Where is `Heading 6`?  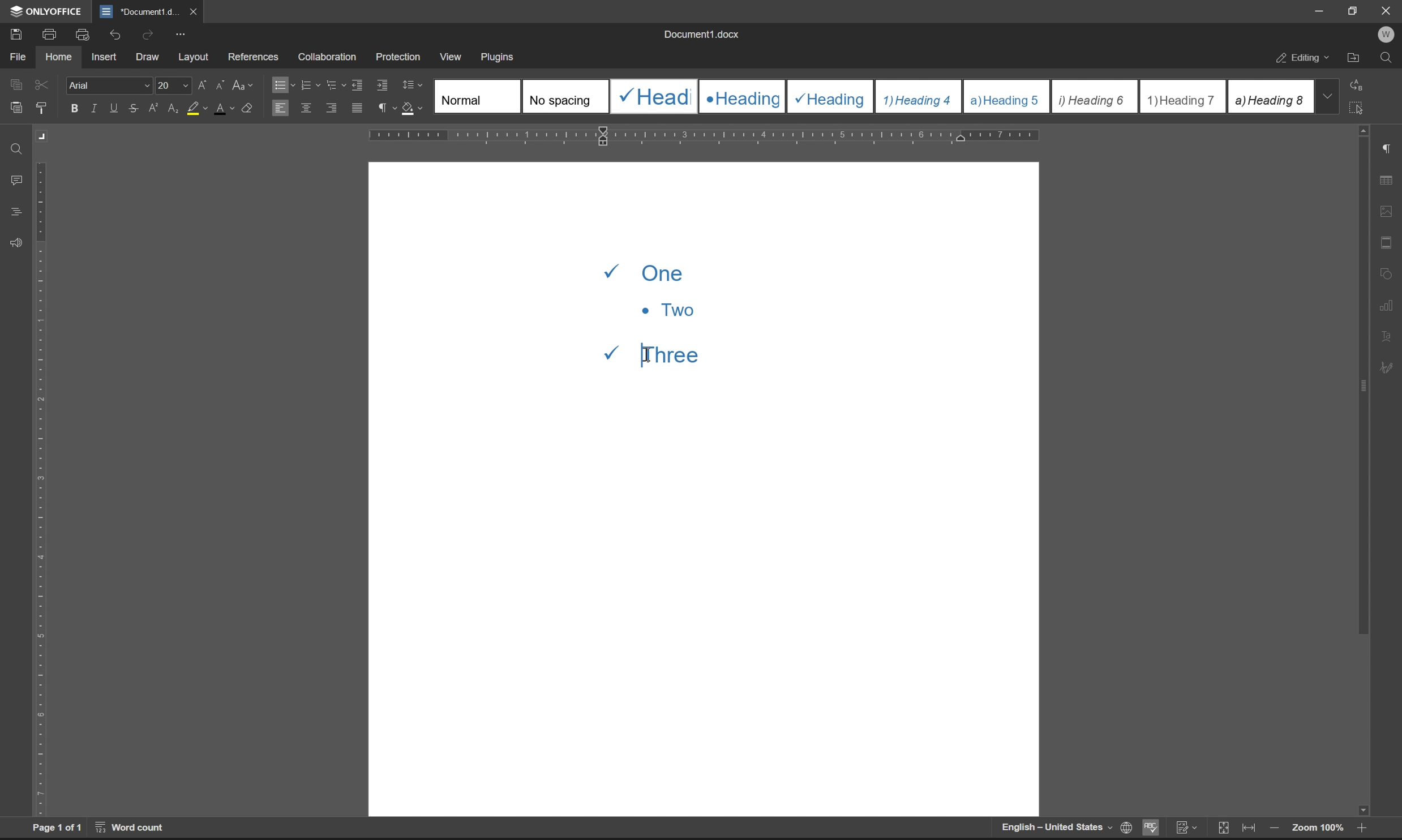
Heading 6 is located at coordinates (1094, 97).